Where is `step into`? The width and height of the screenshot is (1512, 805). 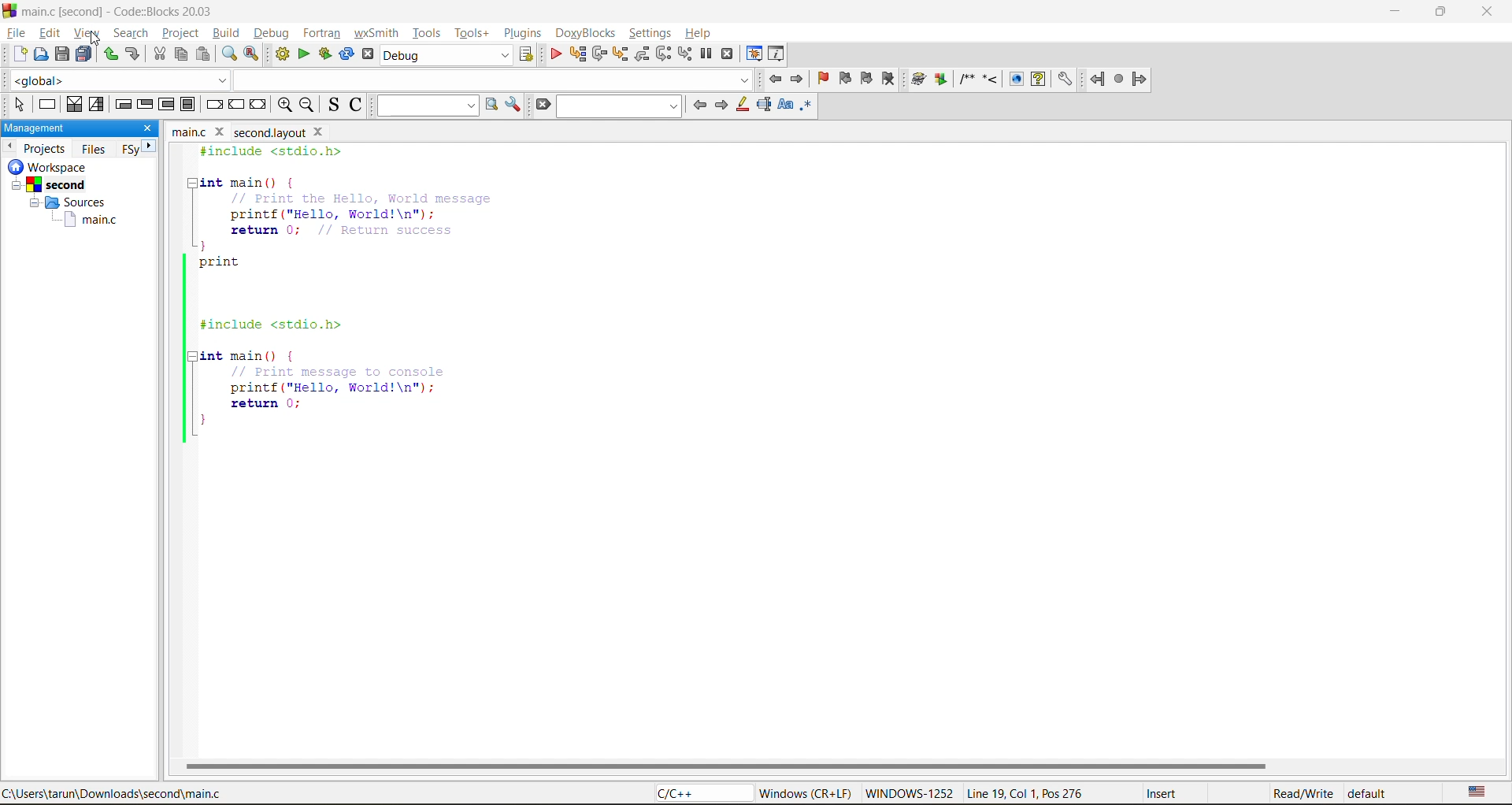 step into is located at coordinates (618, 54).